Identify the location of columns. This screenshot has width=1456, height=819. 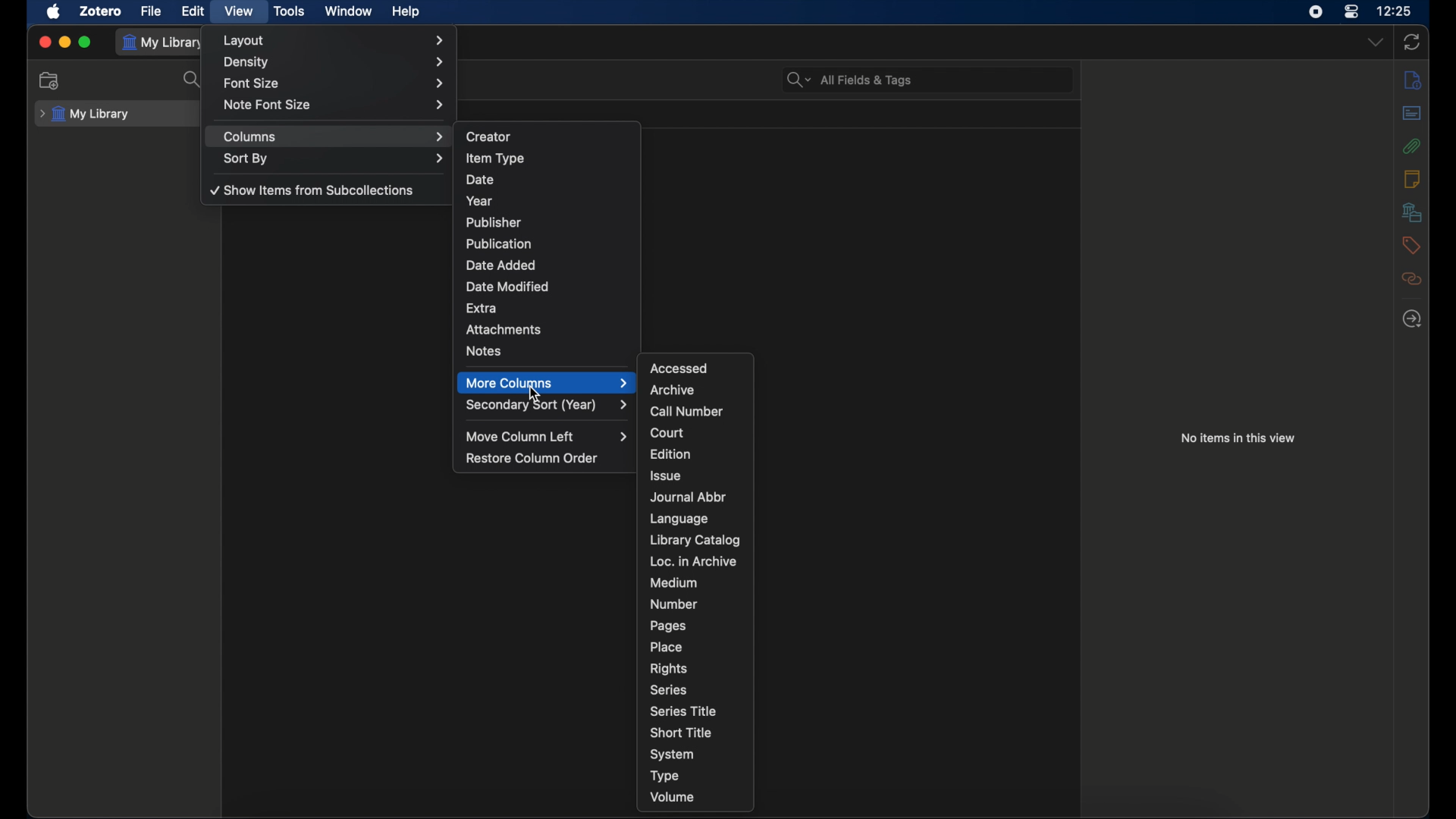
(334, 136).